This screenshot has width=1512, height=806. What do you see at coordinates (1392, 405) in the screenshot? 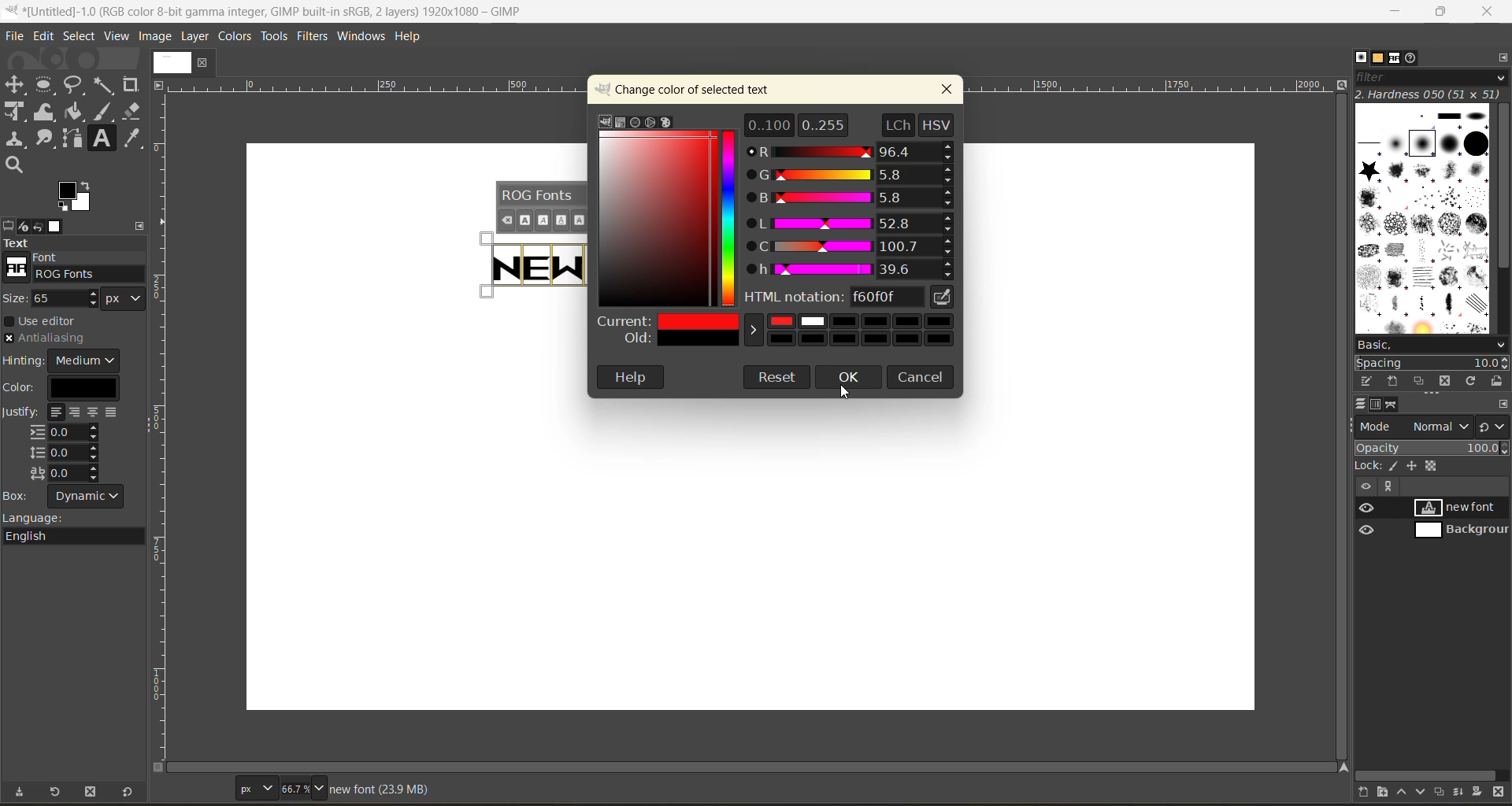
I see `paths` at bounding box center [1392, 405].